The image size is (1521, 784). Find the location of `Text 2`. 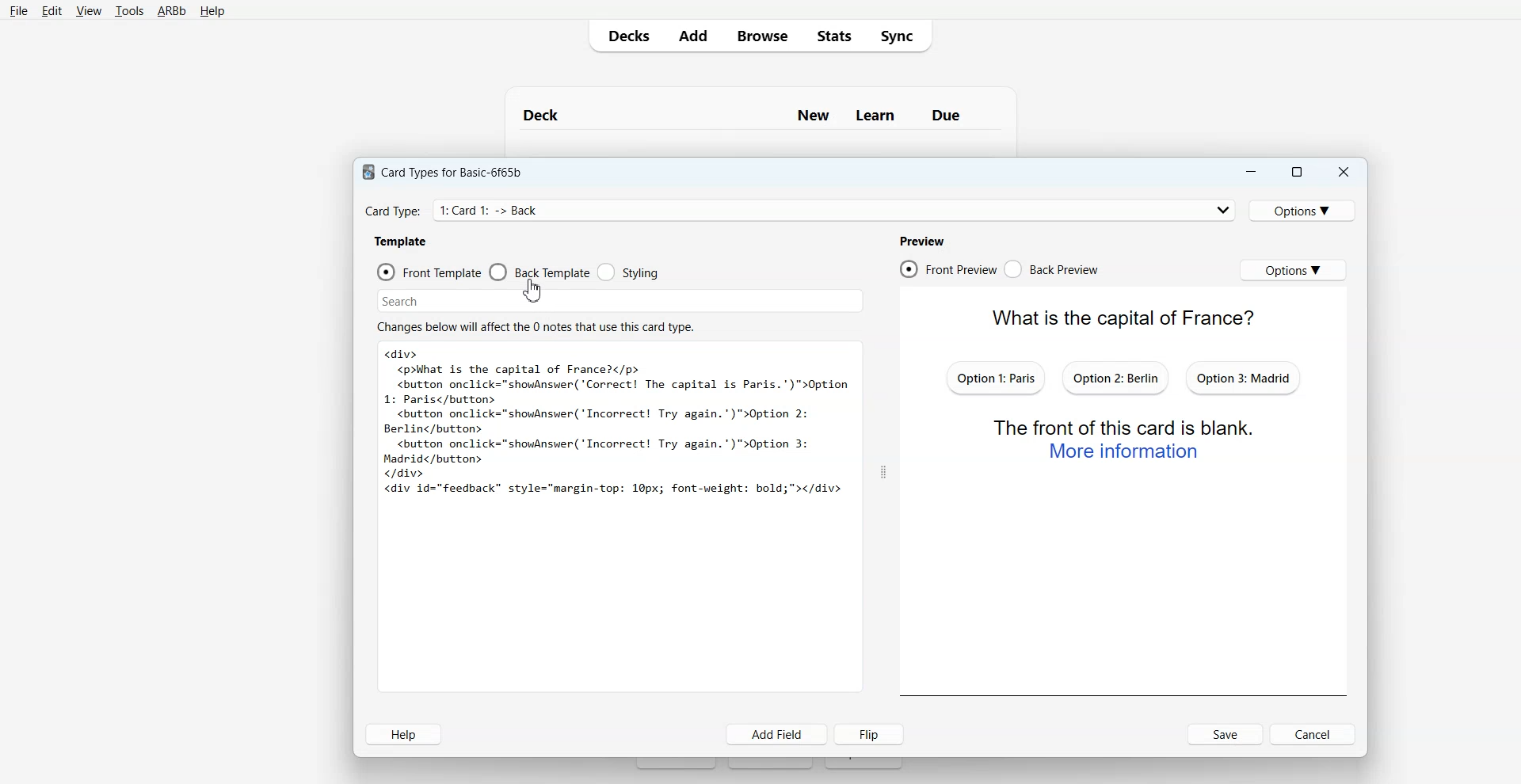

Text 2 is located at coordinates (401, 241).